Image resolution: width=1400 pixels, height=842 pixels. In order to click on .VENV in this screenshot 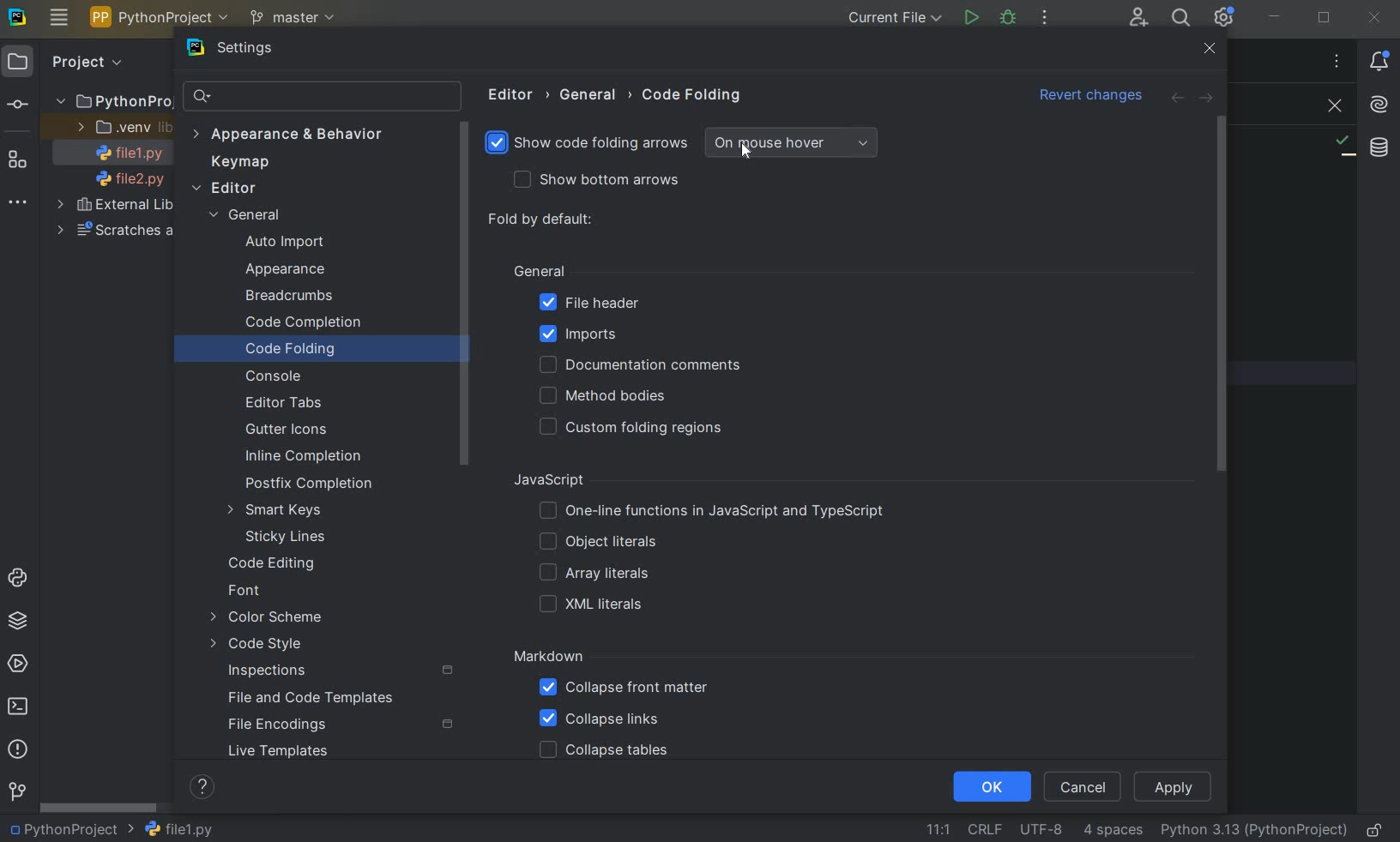, I will do `click(122, 128)`.